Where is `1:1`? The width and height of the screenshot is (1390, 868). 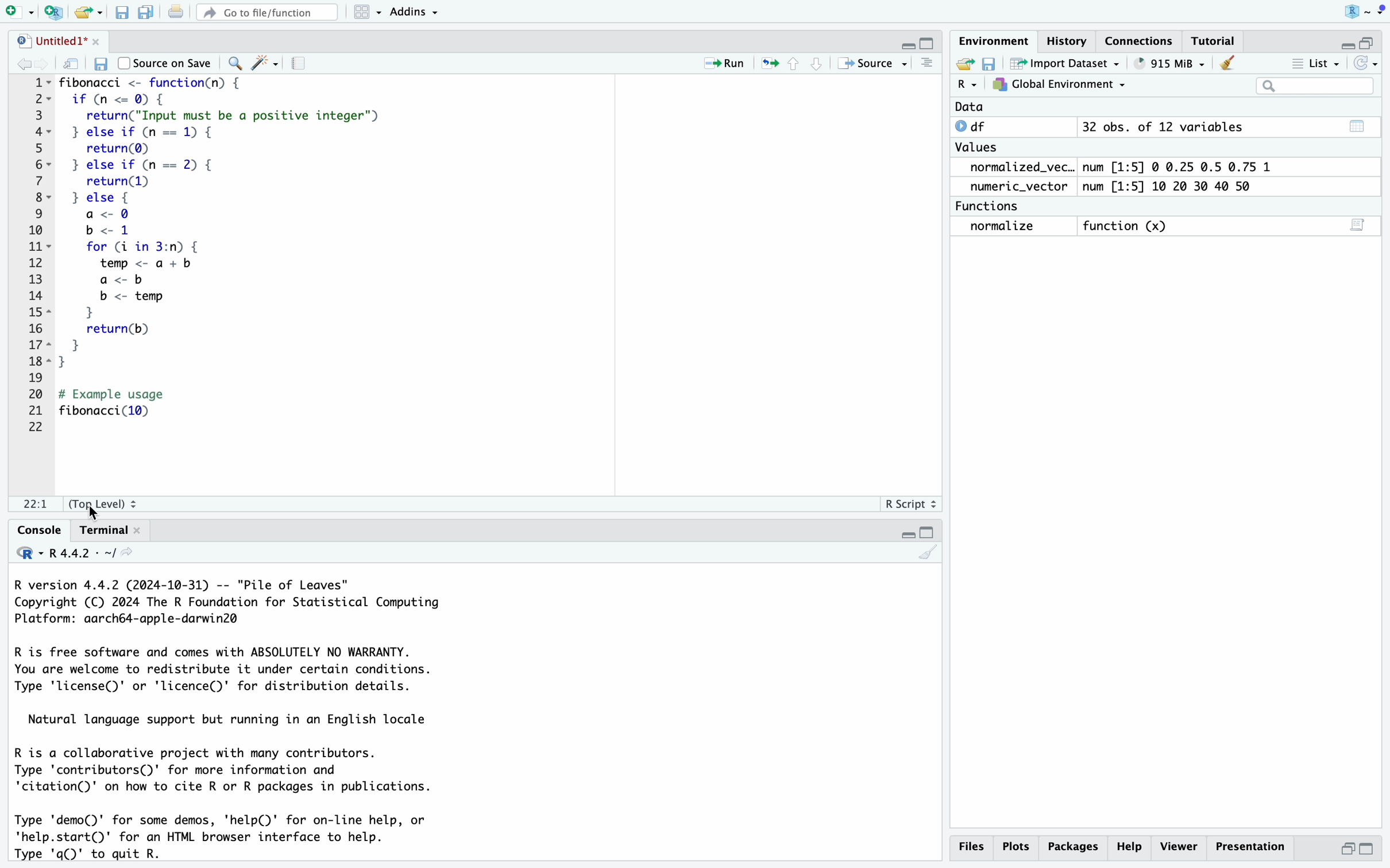
1:1 is located at coordinates (36, 505).